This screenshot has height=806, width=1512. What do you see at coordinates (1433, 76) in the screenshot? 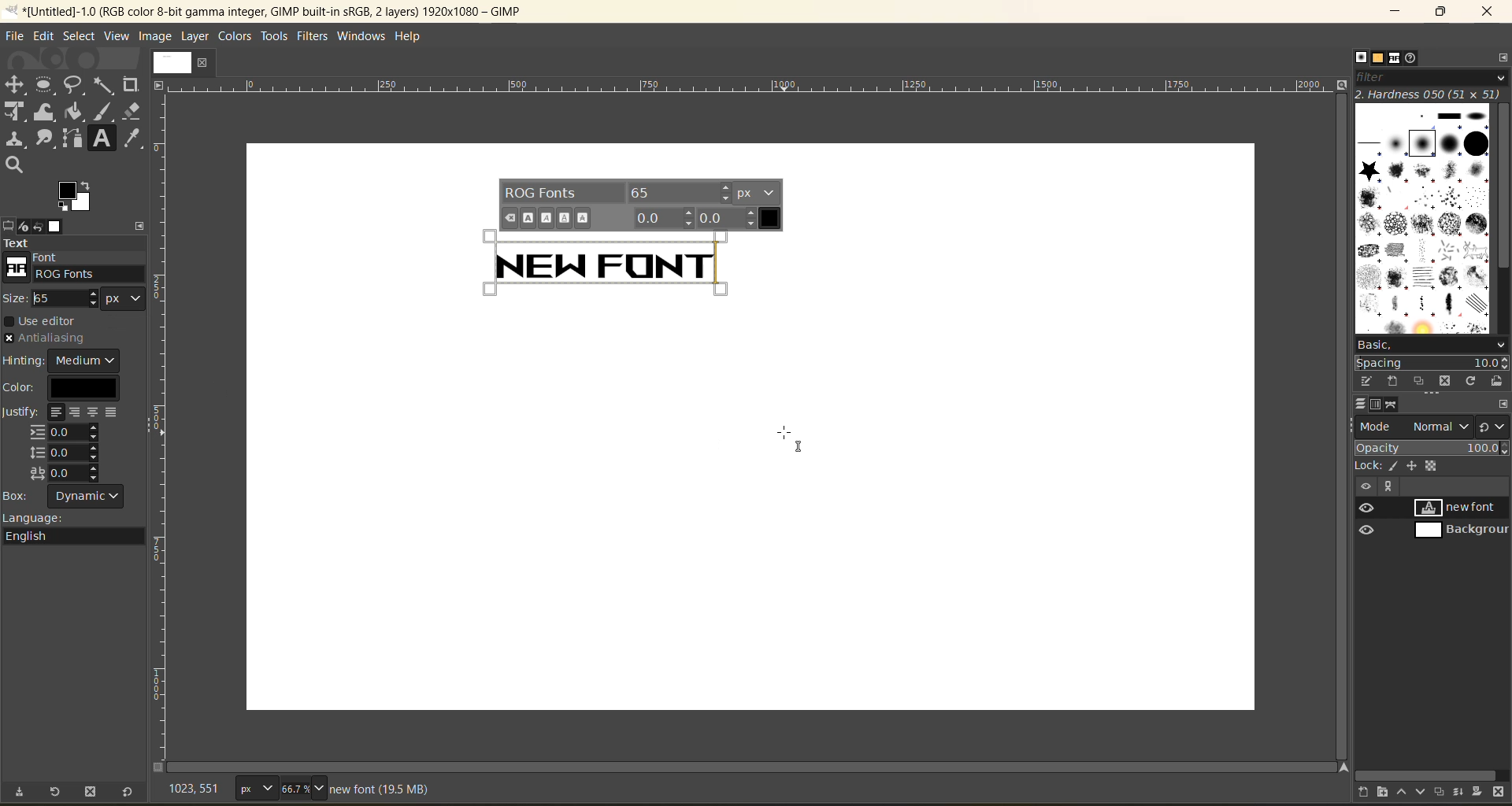
I see `filter` at bounding box center [1433, 76].